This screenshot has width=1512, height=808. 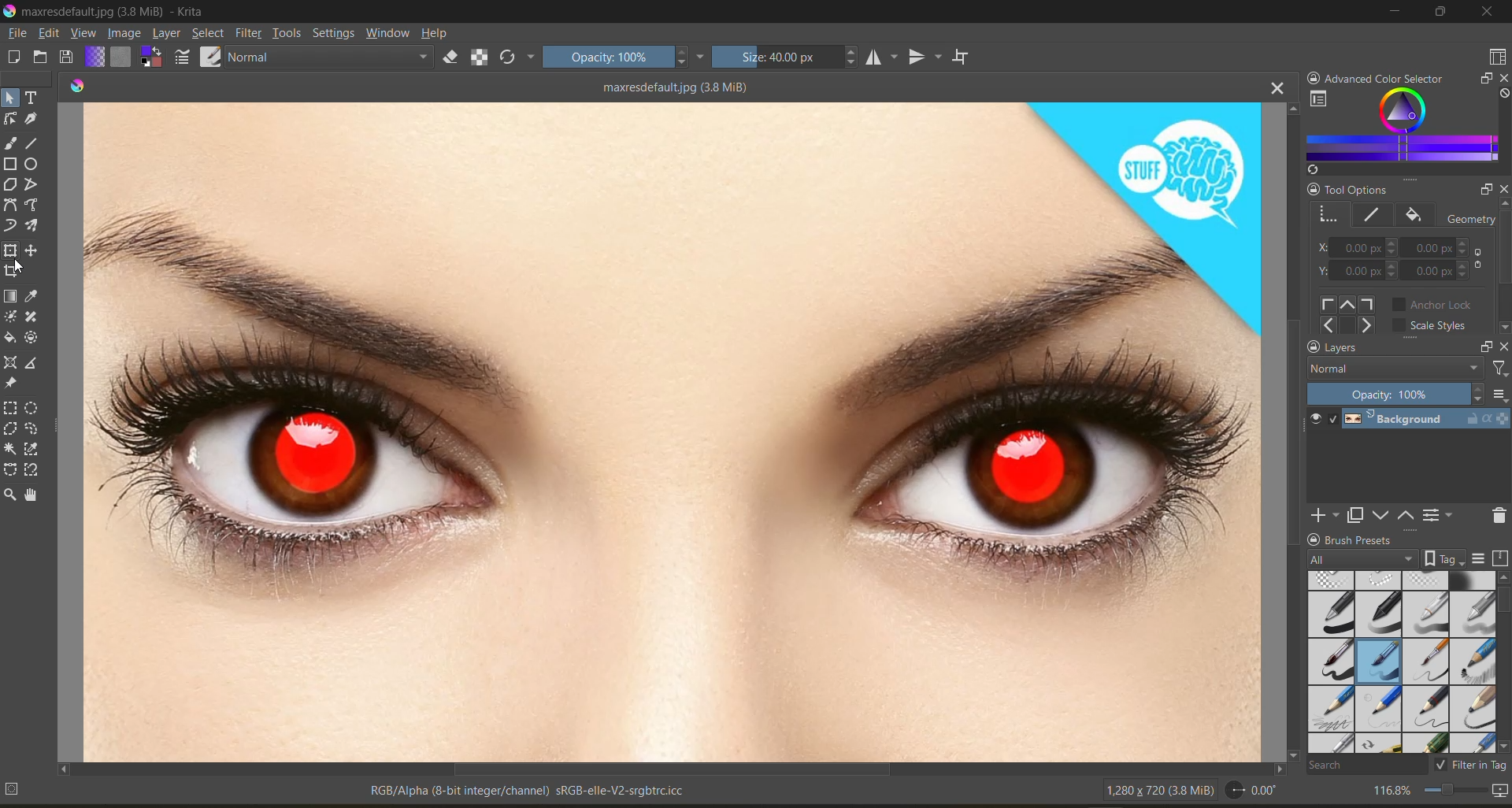 I want to click on tag, so click(x=1361, y=558).